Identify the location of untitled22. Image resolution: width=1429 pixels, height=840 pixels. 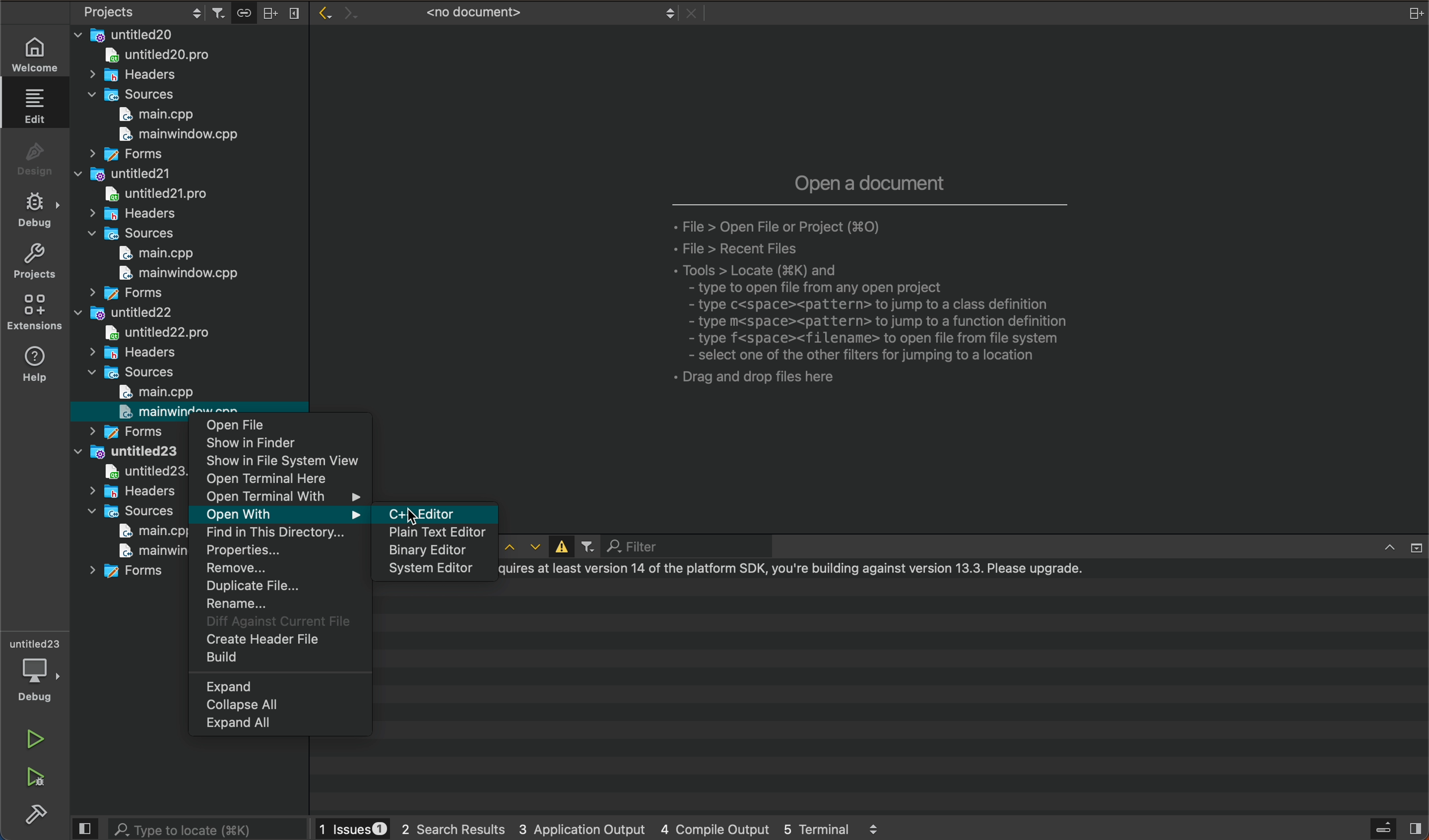
(127, 315).